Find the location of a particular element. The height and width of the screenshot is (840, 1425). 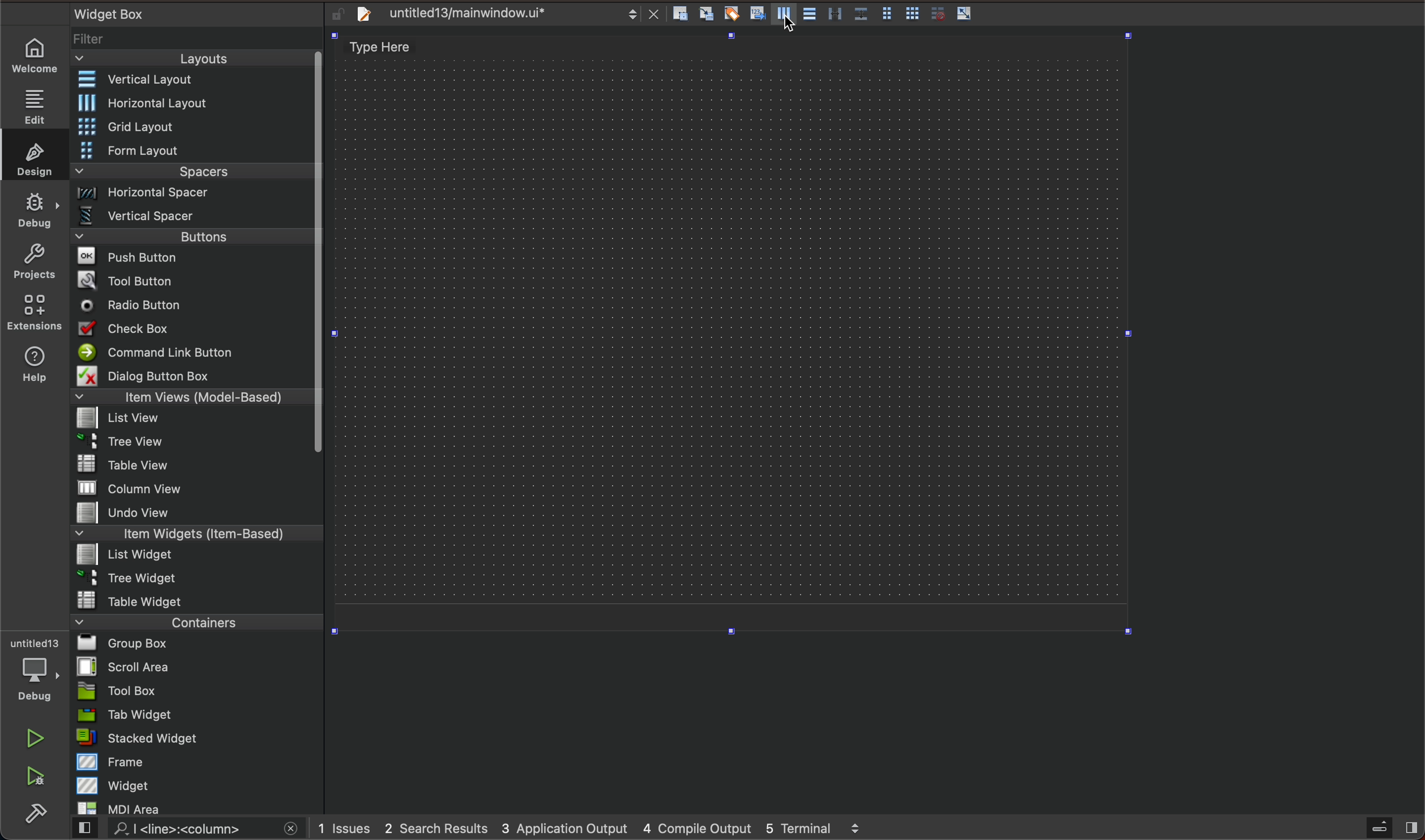

widget is located at coordinates (198, 785).